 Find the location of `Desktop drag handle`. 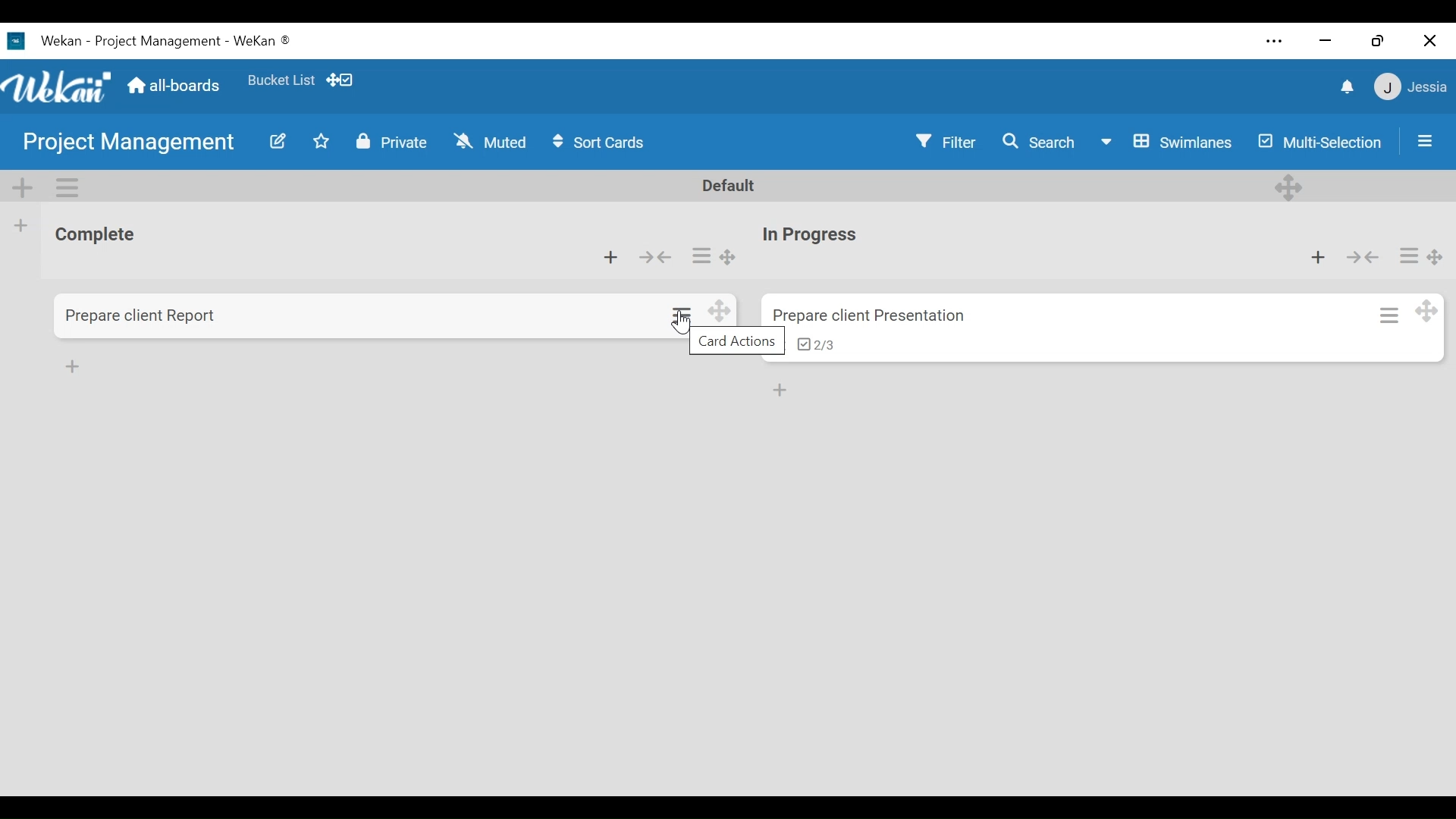

Desktop drag handle is located at coordinates (1426, 311).